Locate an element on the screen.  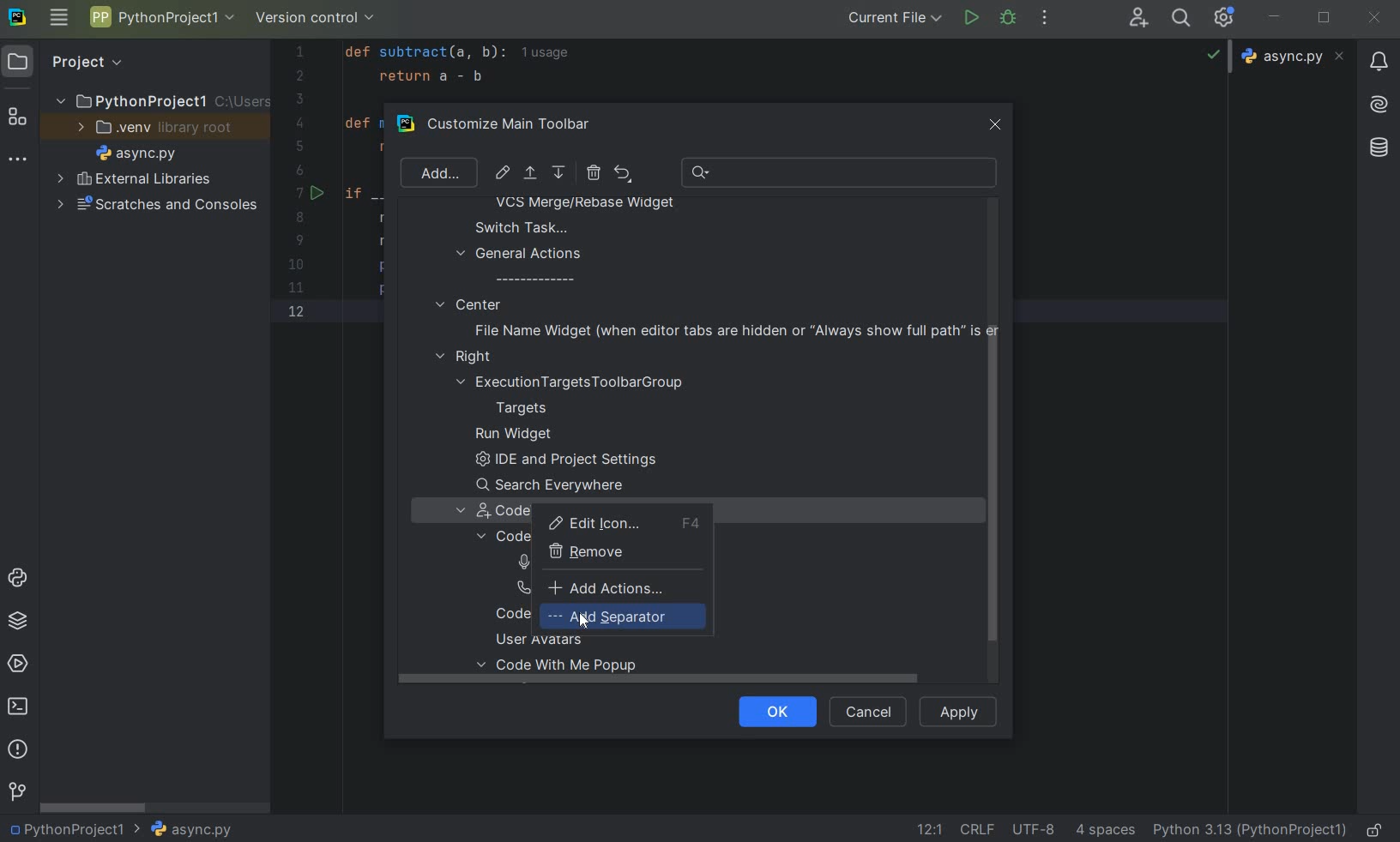
GO TO LINE is located at coordinates (927, 829).